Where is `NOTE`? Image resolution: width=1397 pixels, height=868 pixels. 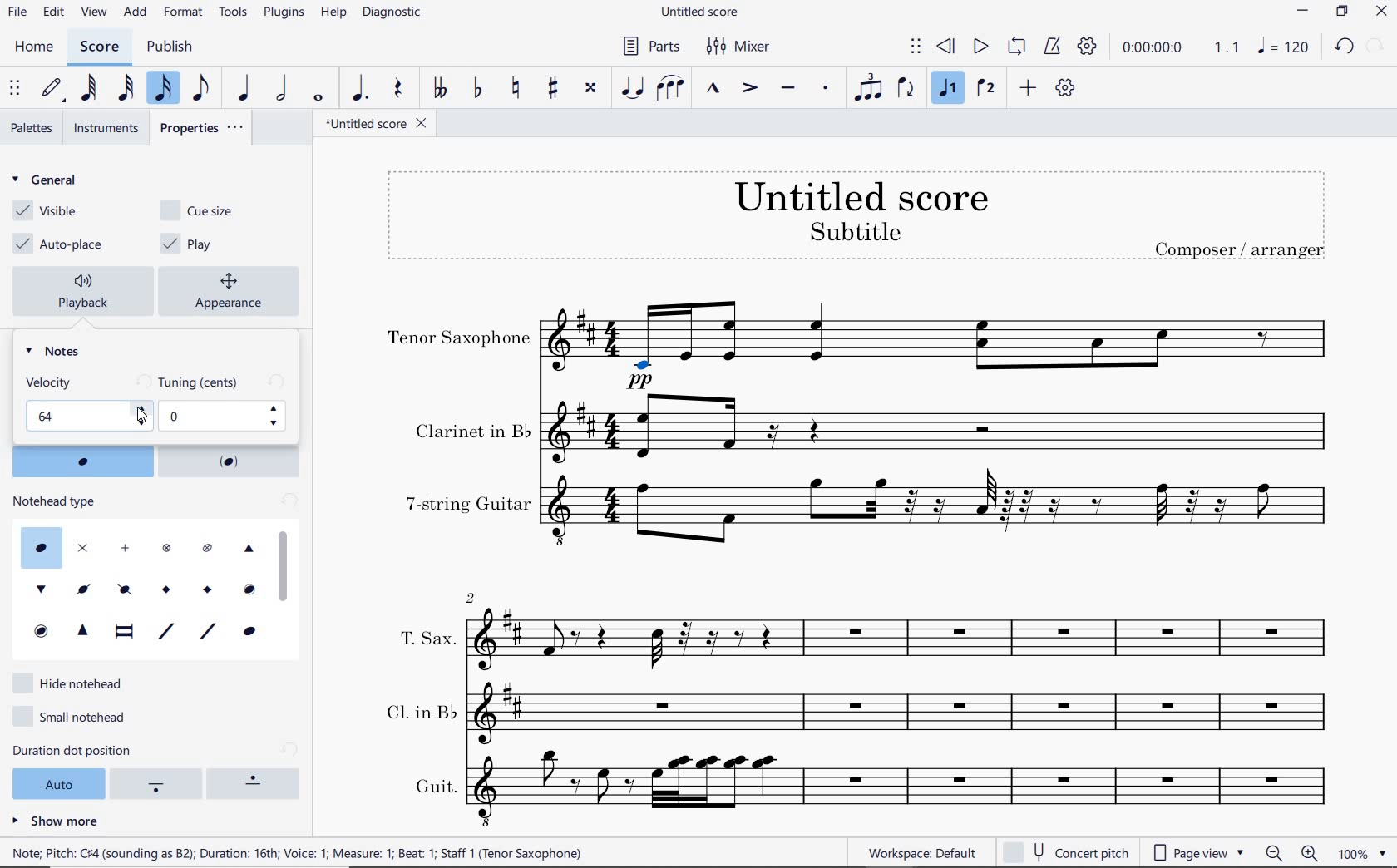 NOTE is located at coordinates (1284, 48).